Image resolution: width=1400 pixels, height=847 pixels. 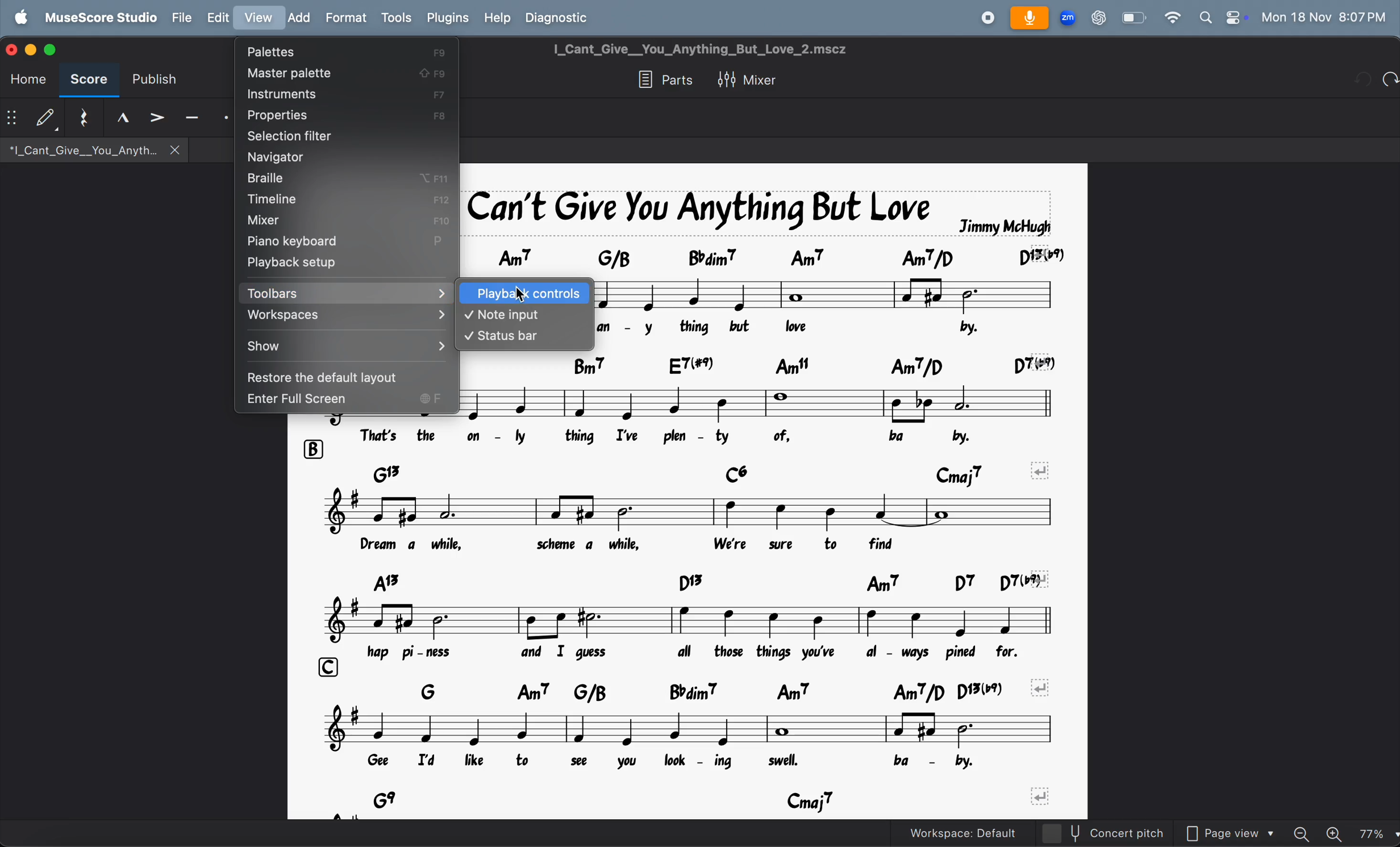 I want to click on playback, so click(x=346, y=264).